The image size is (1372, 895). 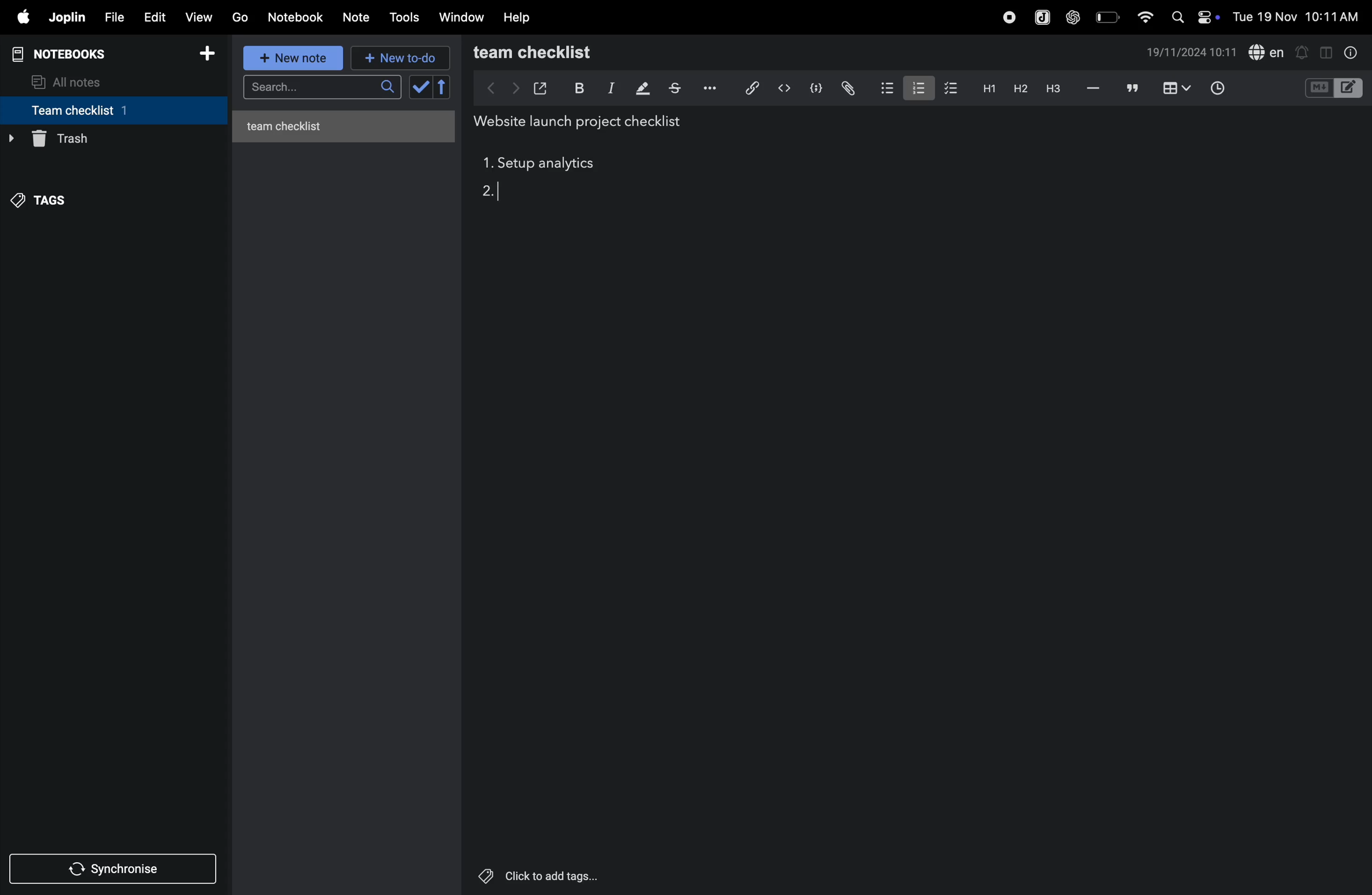 I want to click on heading 2, so click(x=1017, y=88).